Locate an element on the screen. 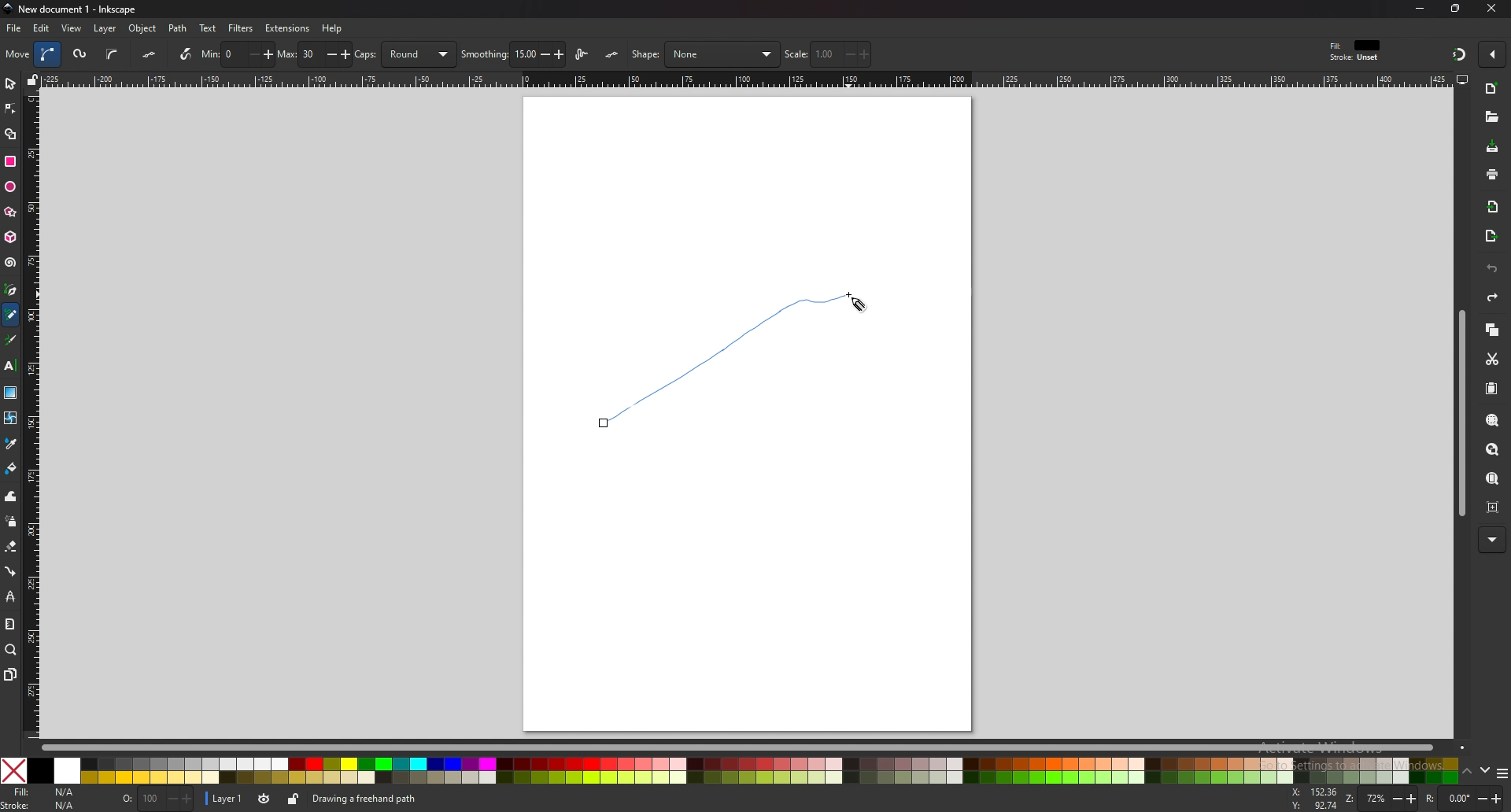  lock is located at coordinates (294, 799).